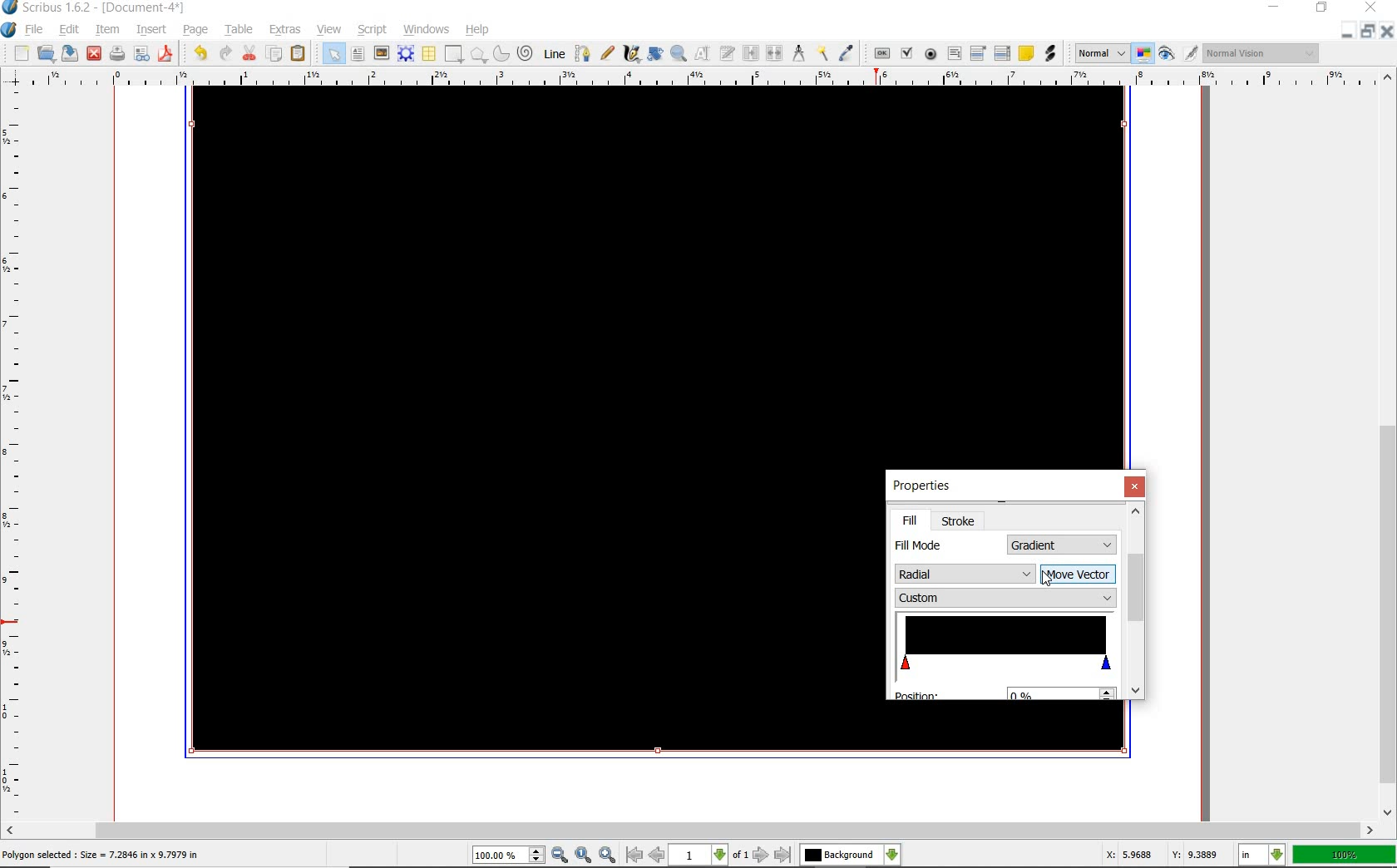 The image size is (1397, 868). Describe the element at coordinates (1344, 855) in the screenshot. I see `100%` at that location.